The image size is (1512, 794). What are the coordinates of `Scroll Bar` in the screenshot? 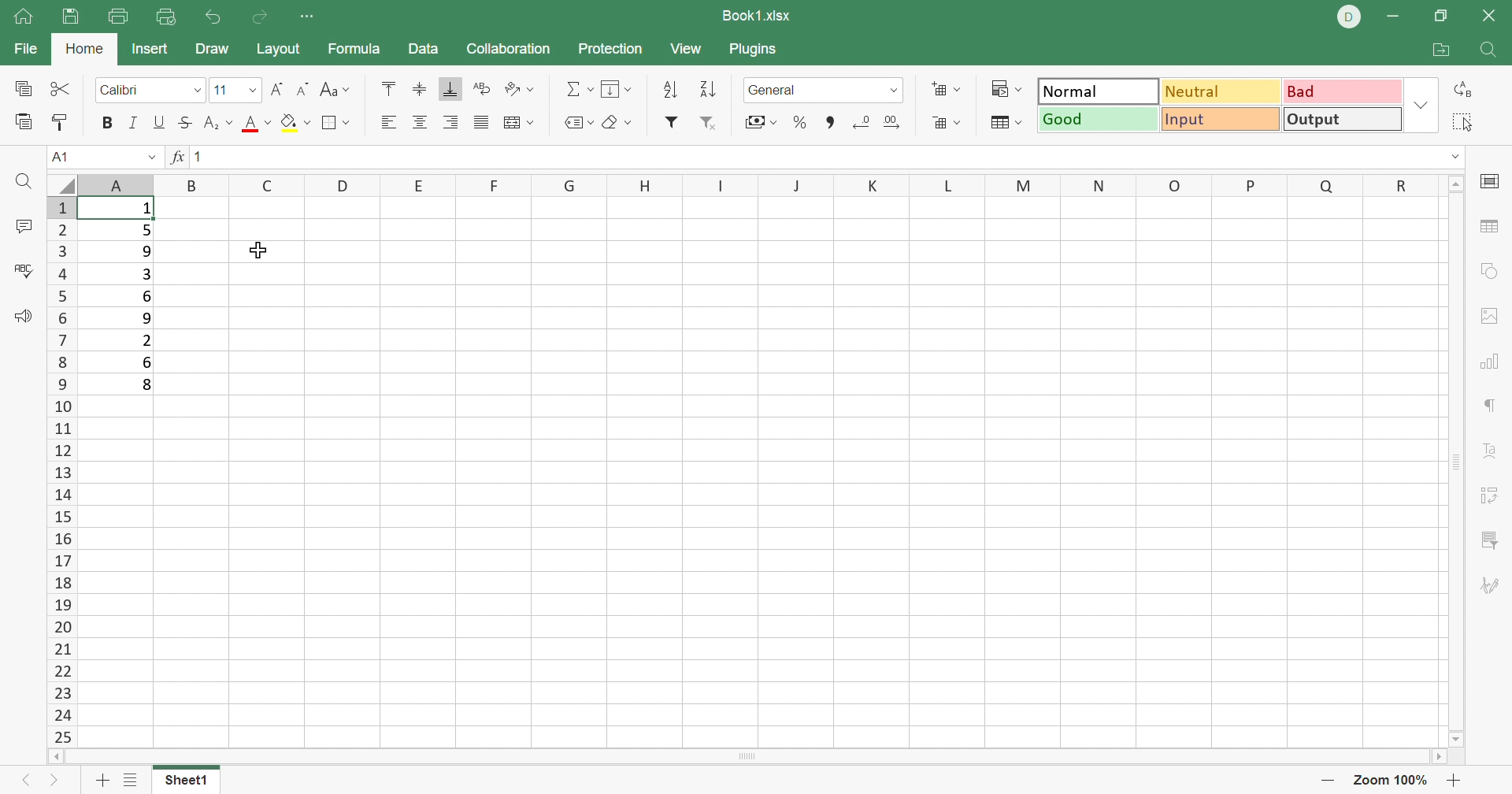 It's located at (1450, 461).